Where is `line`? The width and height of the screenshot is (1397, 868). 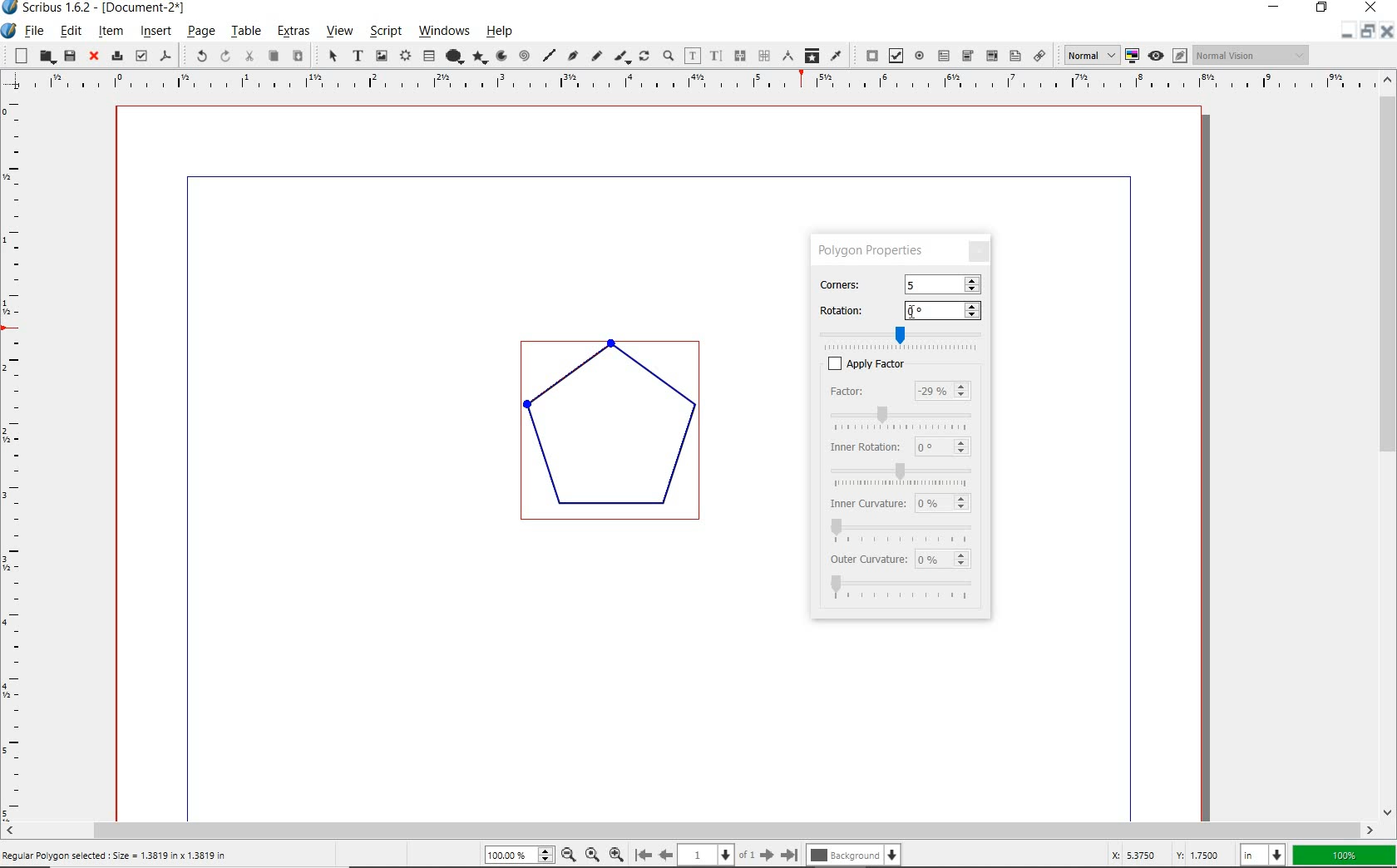
line is located at coordinates (548, 52).